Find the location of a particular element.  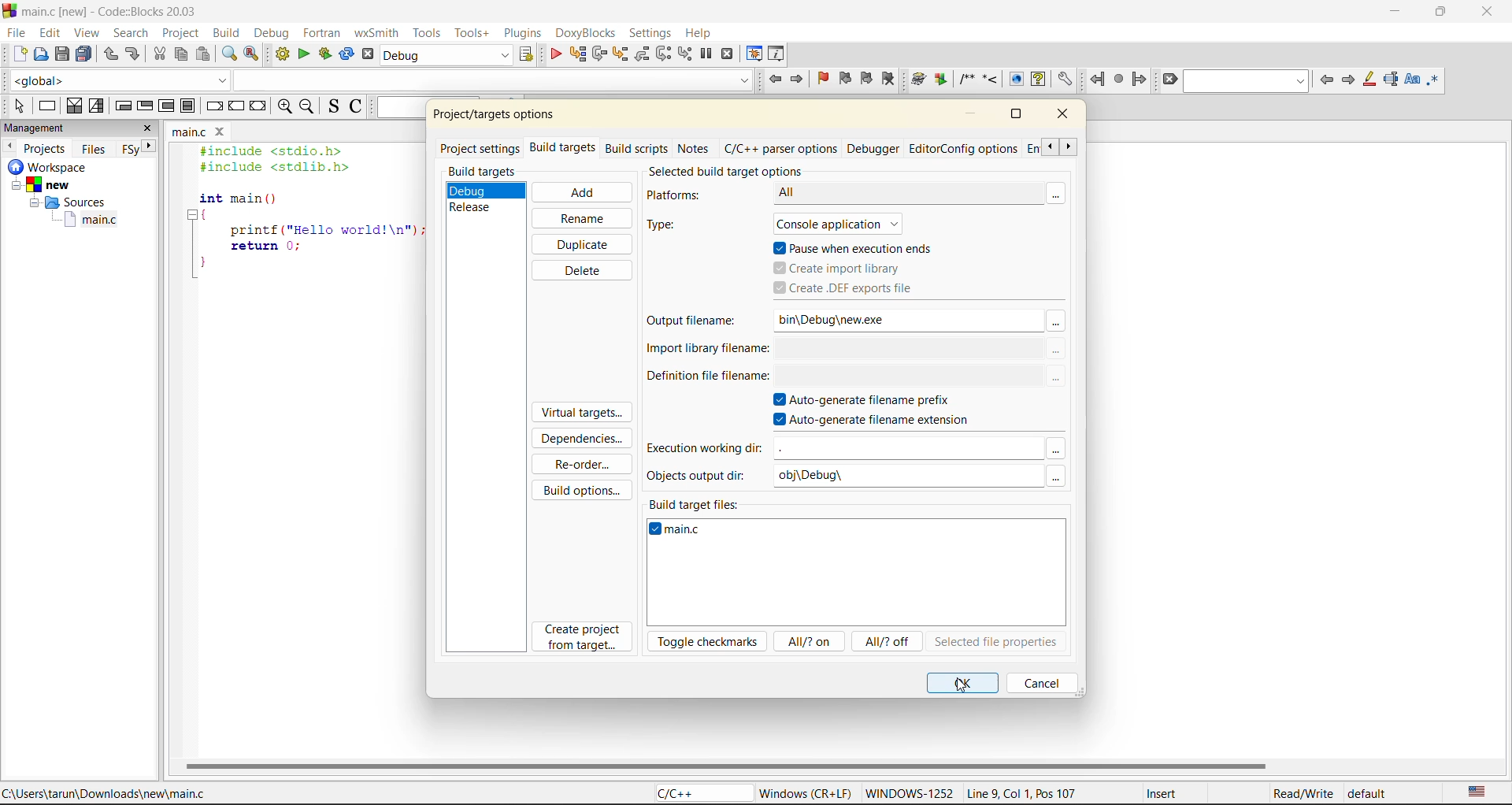

Line 9, Col 1, Pos 107 is located at coordinates (1021, 796).